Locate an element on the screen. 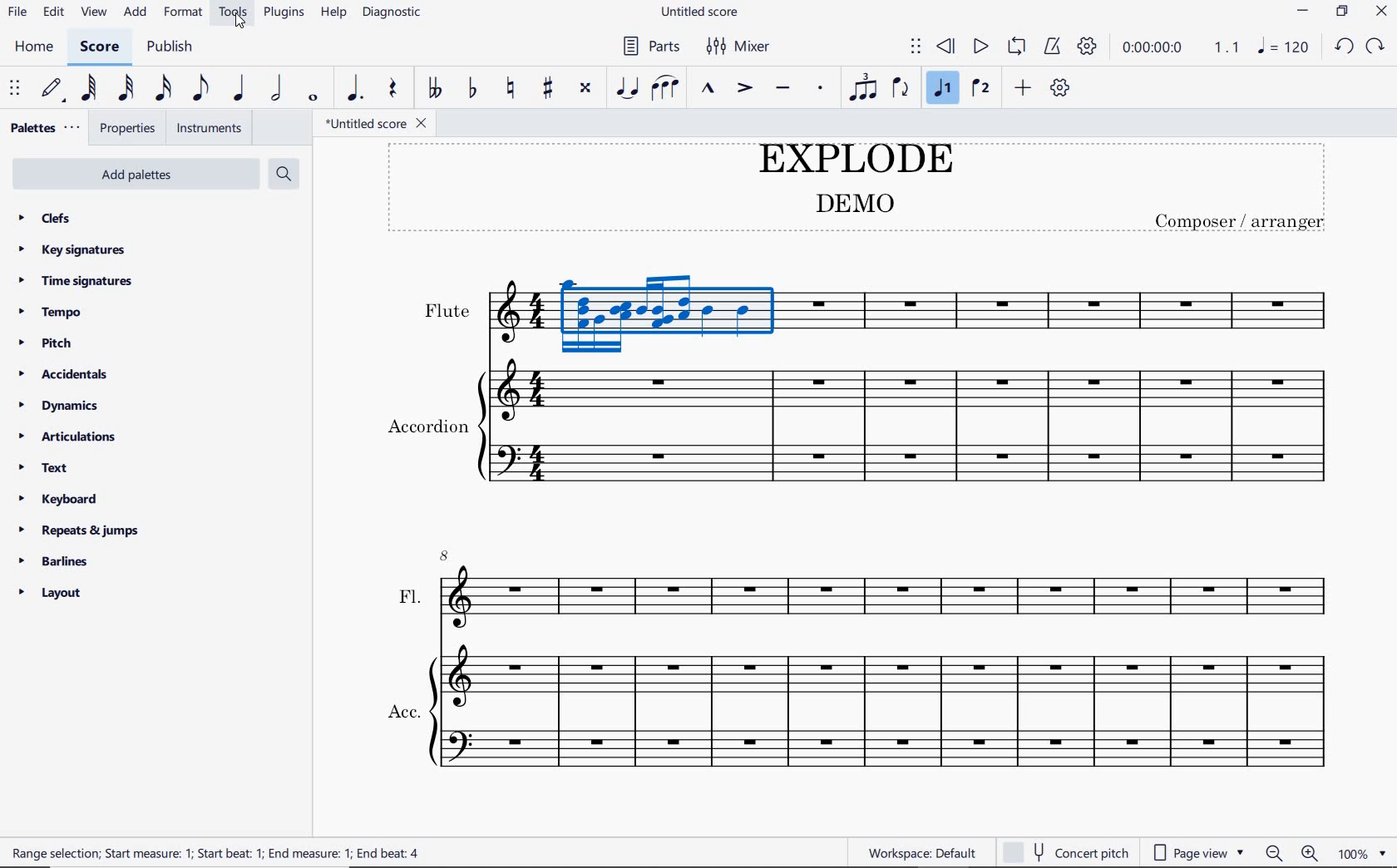 This screenshot has height=868, width=1397. accent is located at coordinates (742, 89).